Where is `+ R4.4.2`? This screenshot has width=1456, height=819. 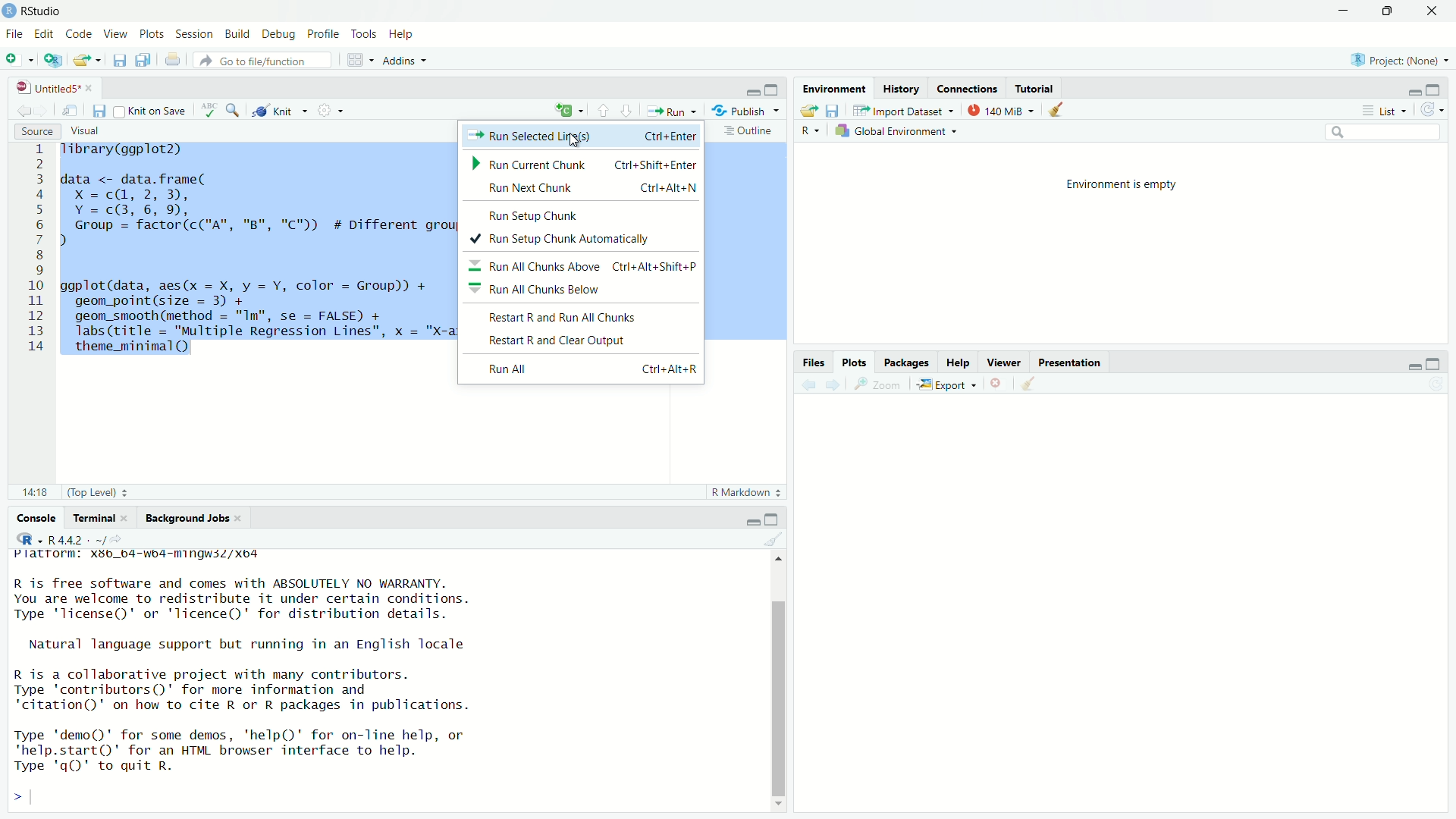 + R4.4.2 is located at coordinates (65, 539).